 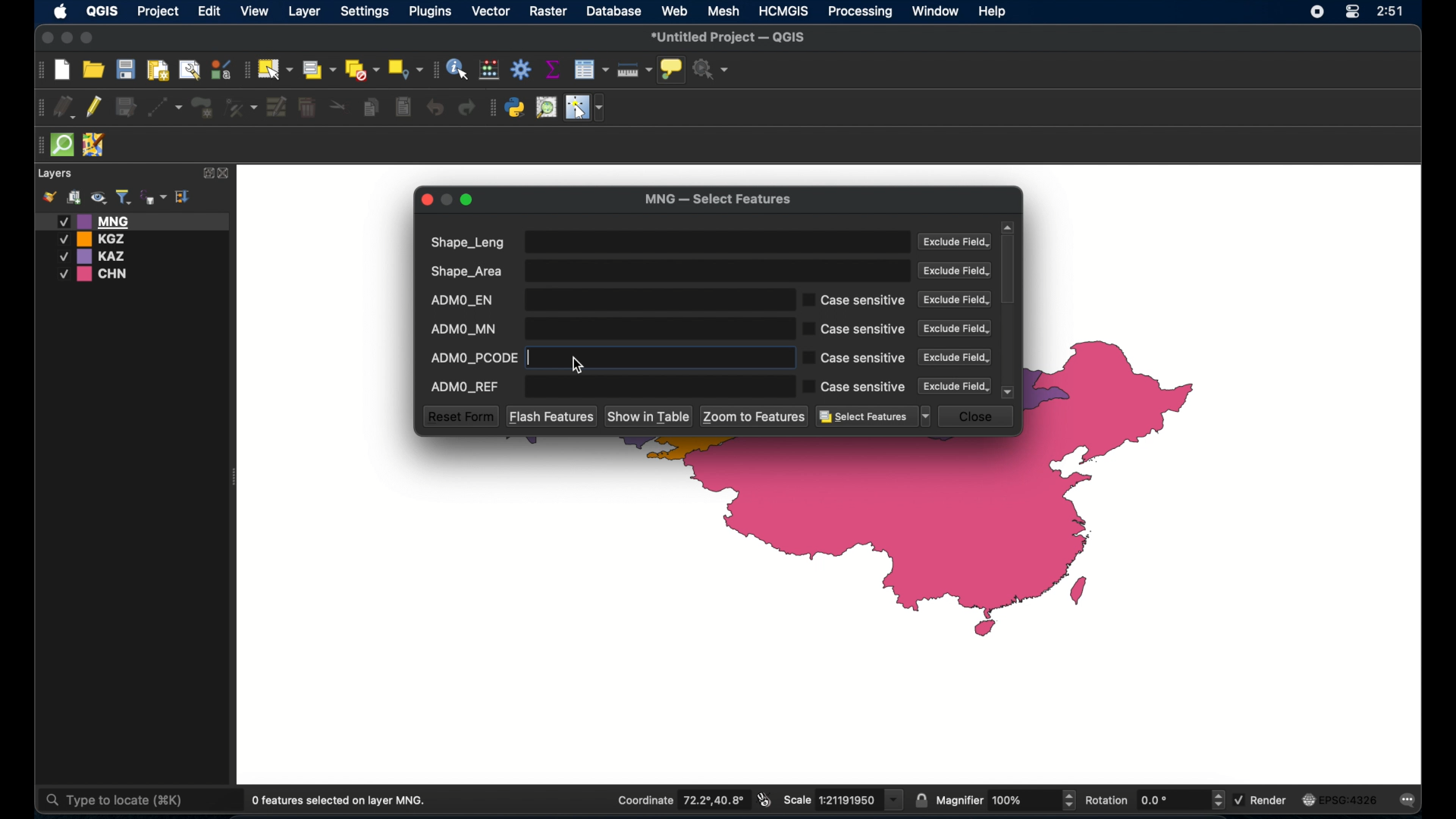 I want to click on MNG, so click(x=133, y=221).